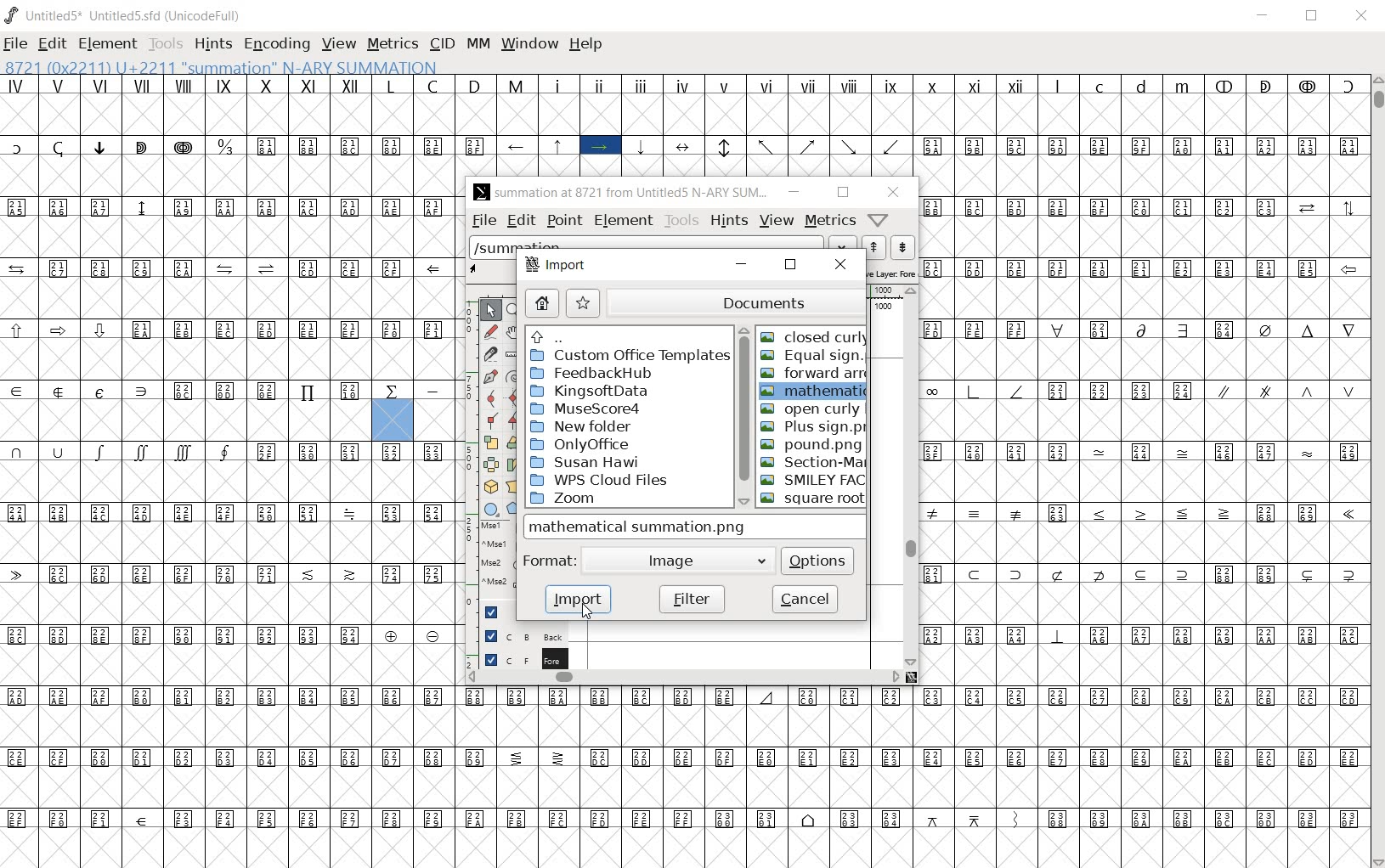 This screenshot has height=868, width=1385. Describe the element at coordinates (681, 220) in the screenshot. I see `tools` at that location.